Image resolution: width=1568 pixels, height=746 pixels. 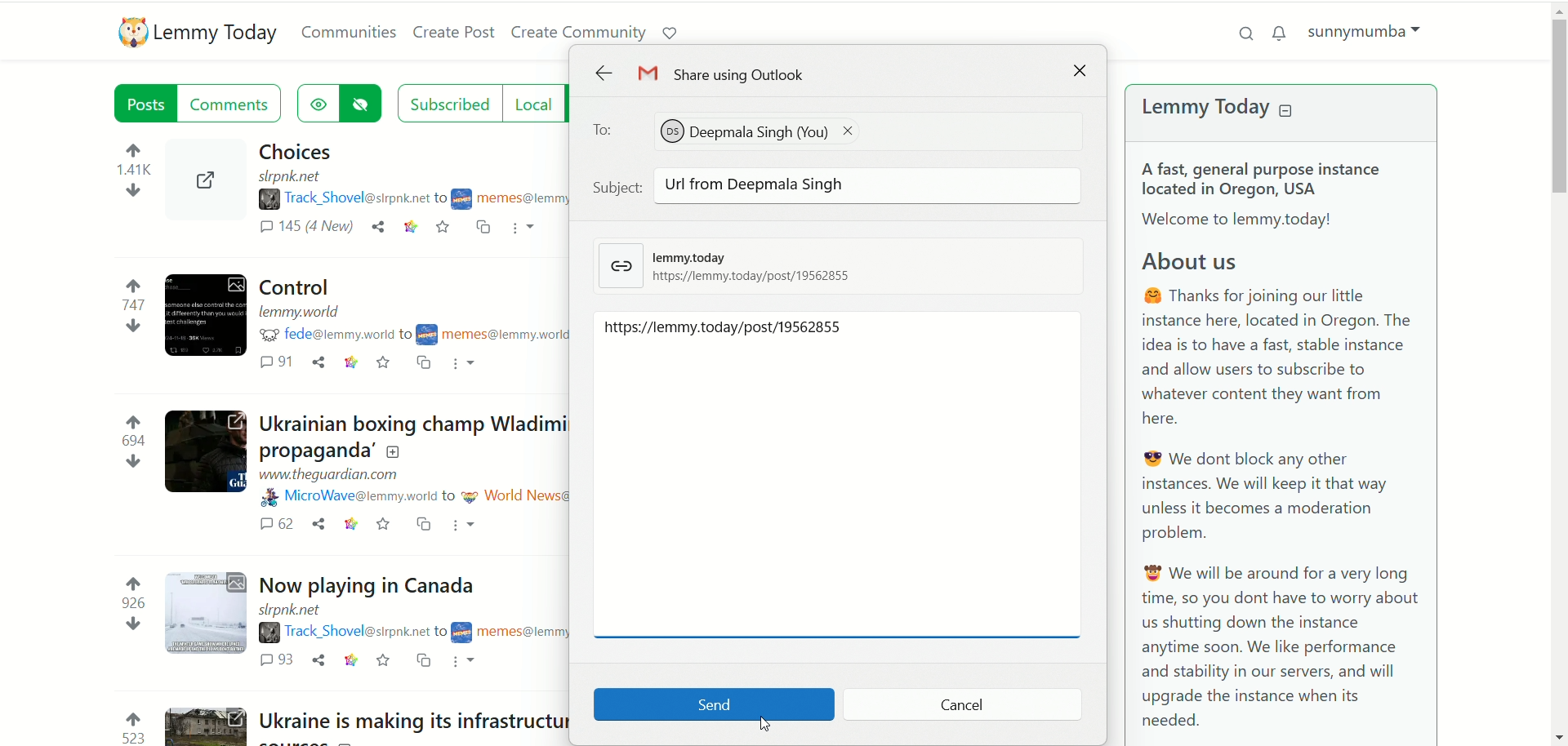 I want to click on cross post, so click(x=424, y=362).